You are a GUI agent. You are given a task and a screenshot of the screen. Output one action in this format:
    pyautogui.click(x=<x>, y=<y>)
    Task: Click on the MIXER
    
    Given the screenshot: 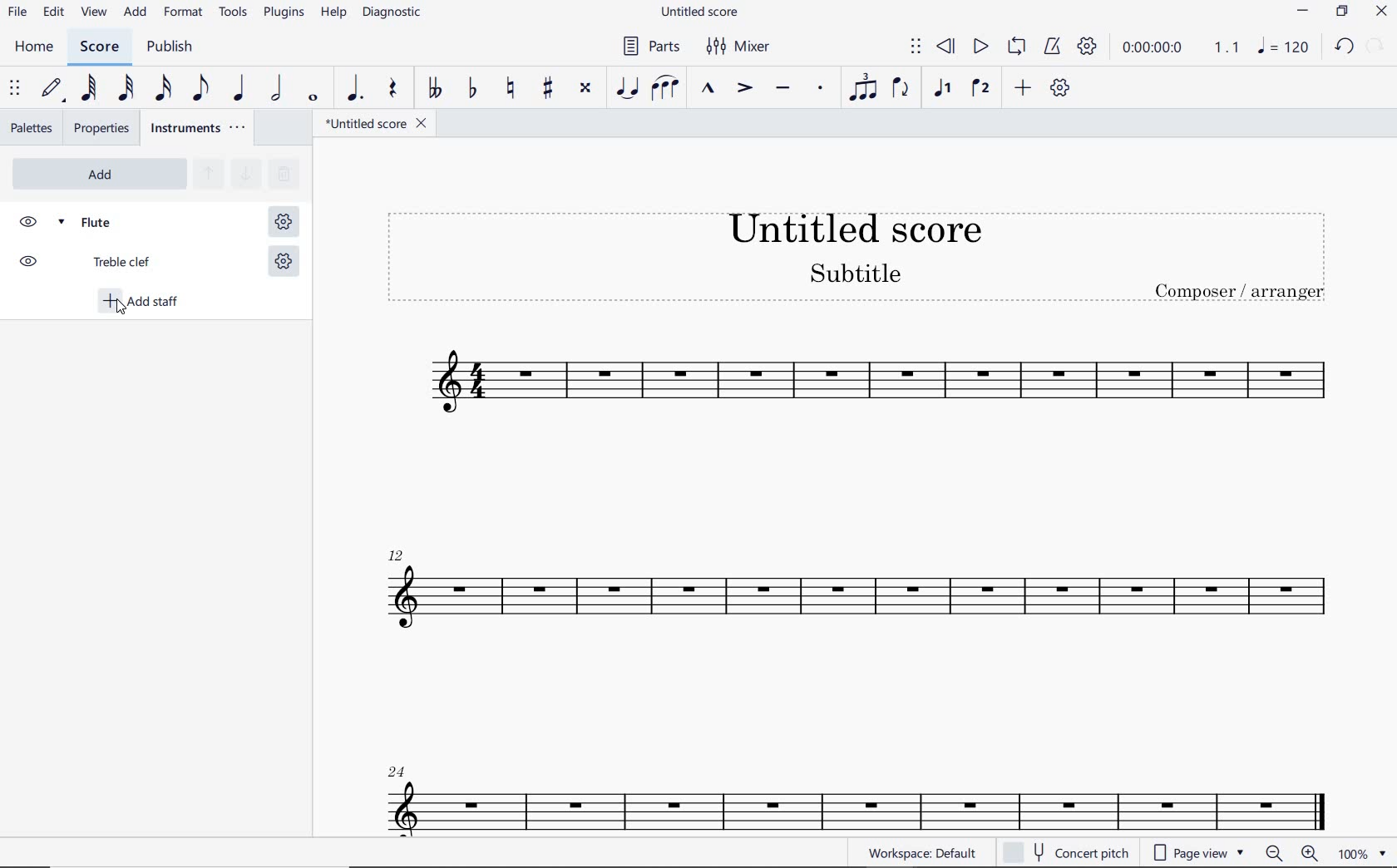 What is the action you would take?
    pyautogui.click(x=740, y=49)
    